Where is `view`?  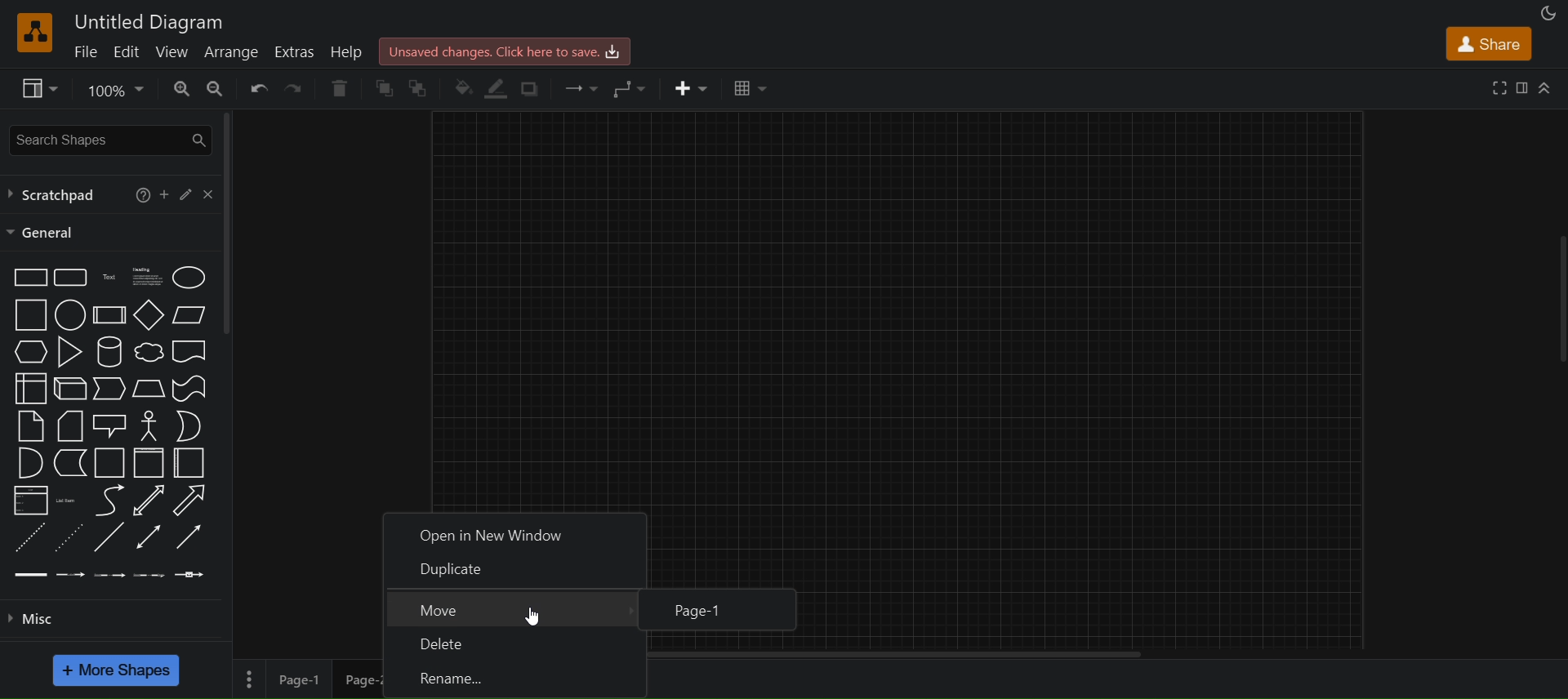
view is located at coordinates (173, 51).